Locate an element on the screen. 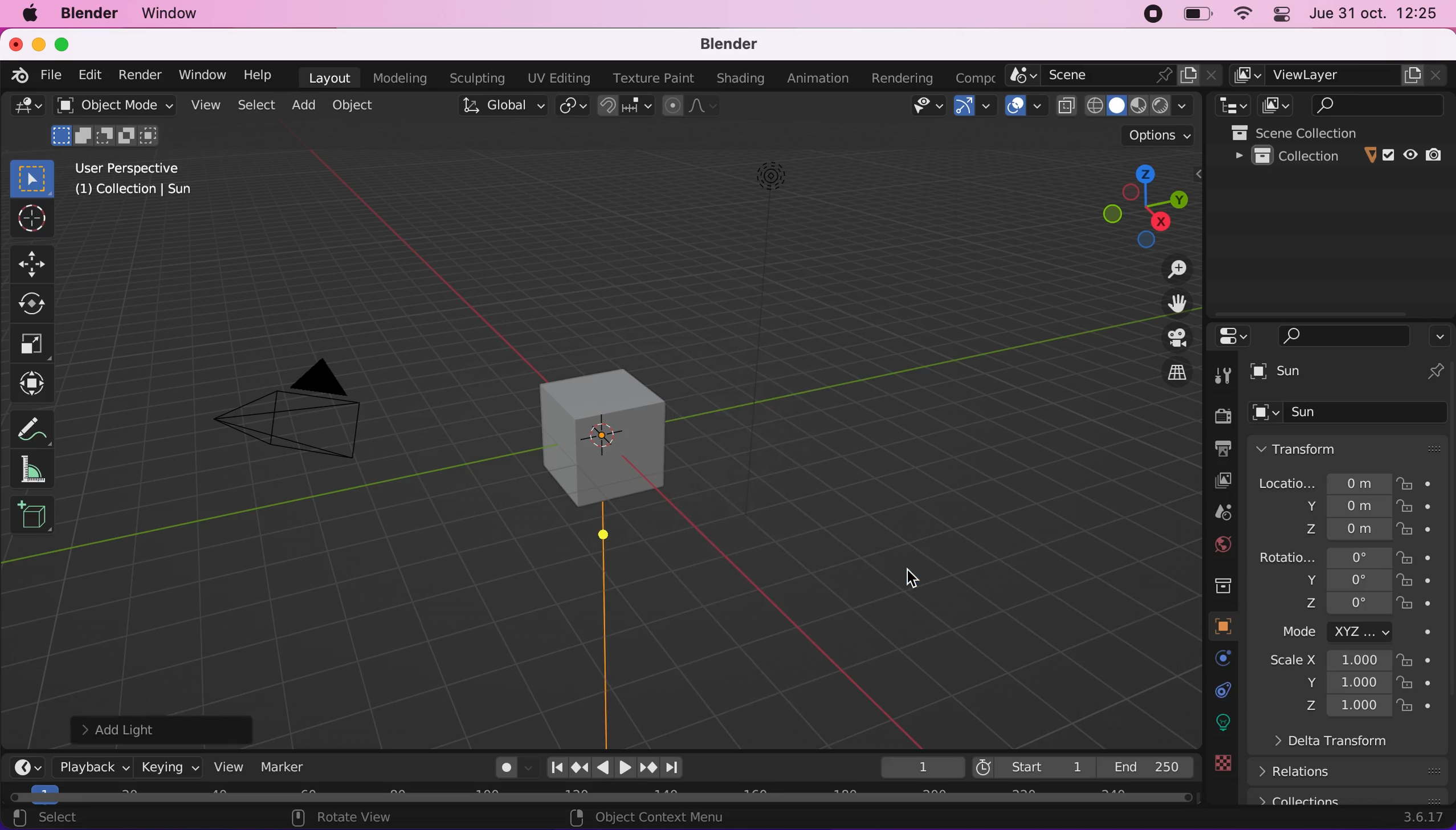 Image resolution: width=1456 pixels, height=830 pixels. lock is located at coordinates (1425, 558).